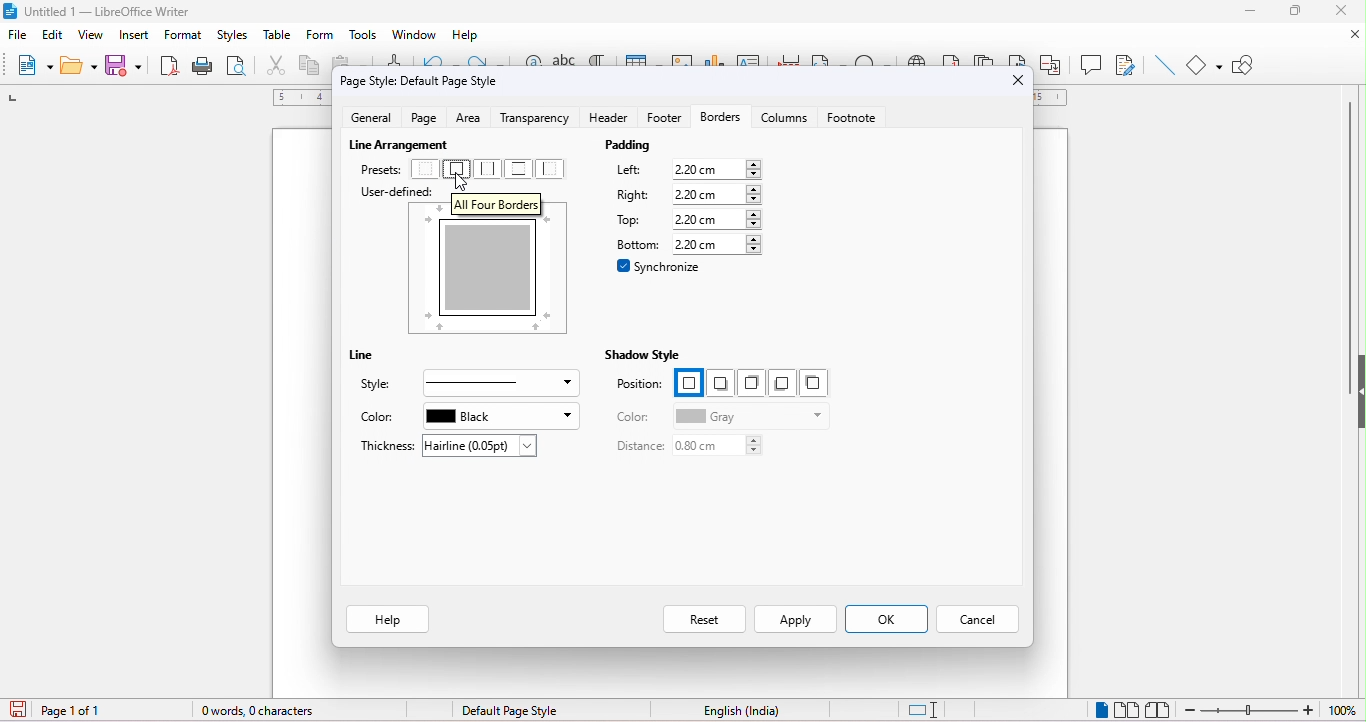  What do you see at coordinates (125, 65) in the screenshot?
I see `save` at bounding box center [125, 65].